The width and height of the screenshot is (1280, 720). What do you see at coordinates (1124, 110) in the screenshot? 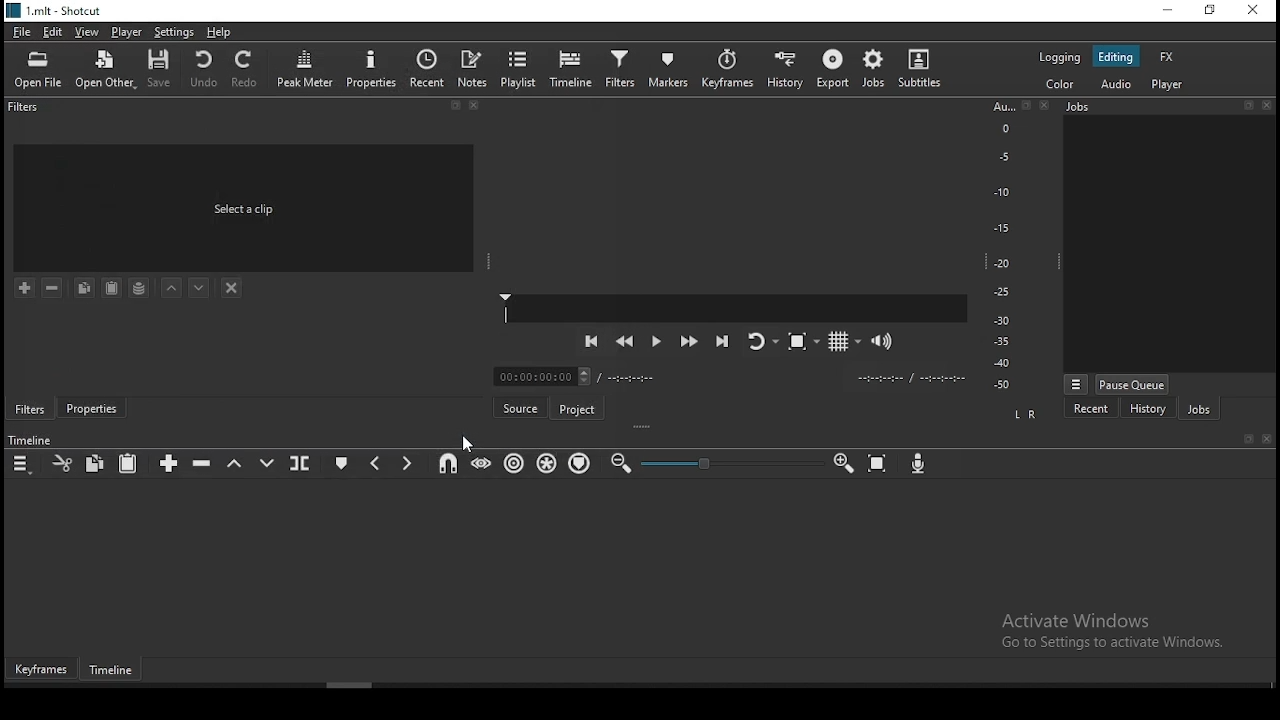
I see `Jobs` at bounding box center [1124, 110].